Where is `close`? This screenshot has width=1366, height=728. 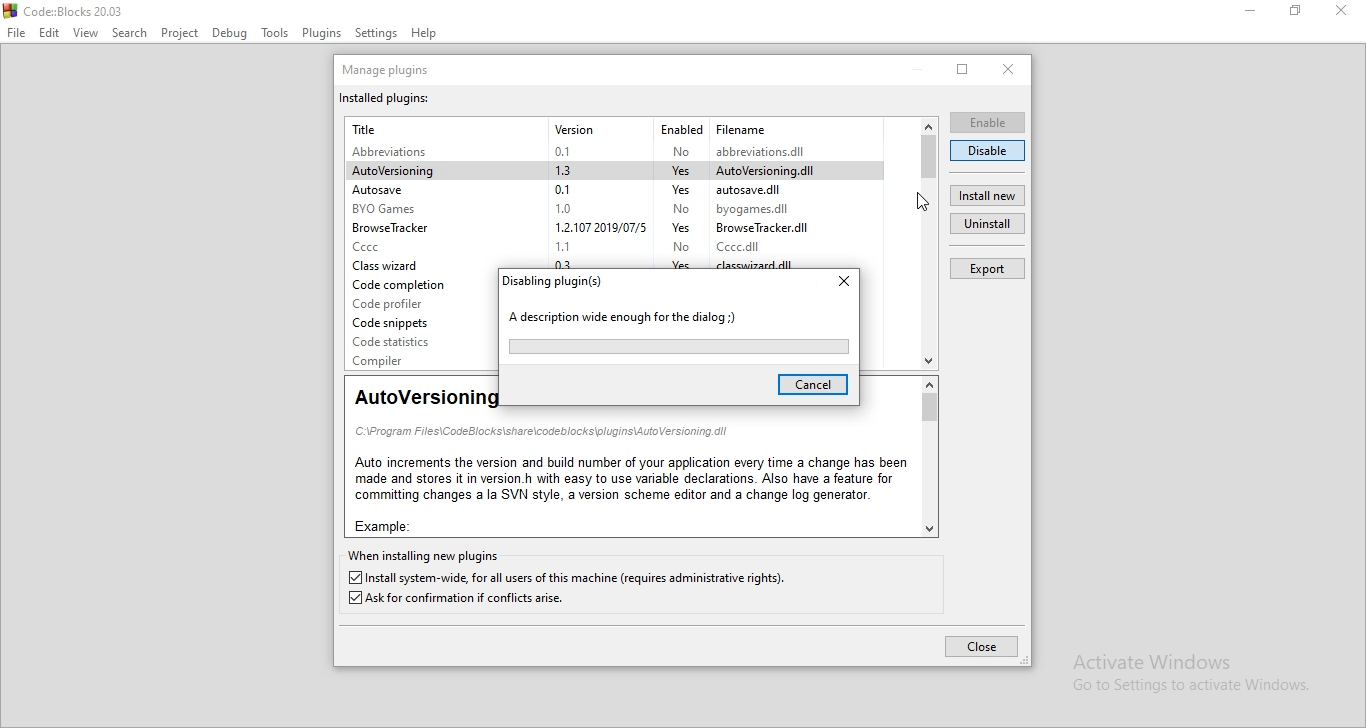
close is located at coordinates (1008, 69).